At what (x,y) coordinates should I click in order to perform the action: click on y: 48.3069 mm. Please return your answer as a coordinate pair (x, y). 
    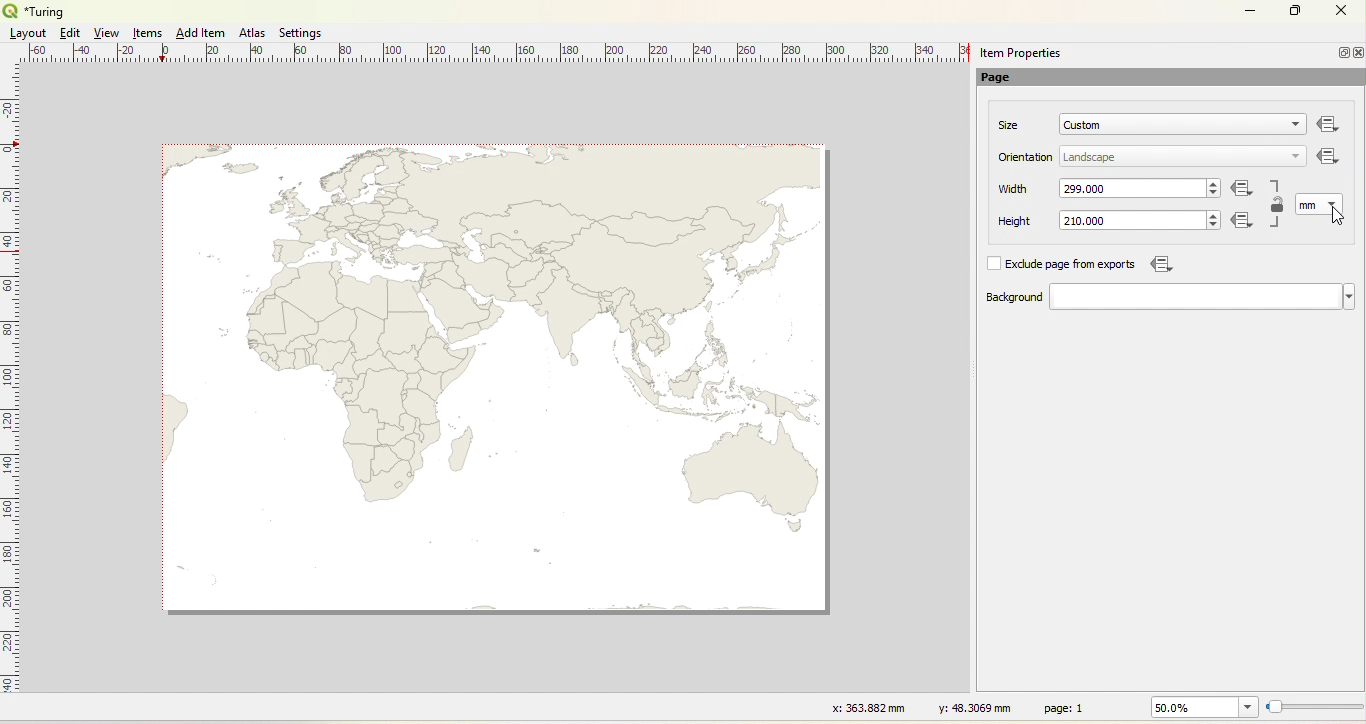
    Looking at the image, I should click on (968, 707).